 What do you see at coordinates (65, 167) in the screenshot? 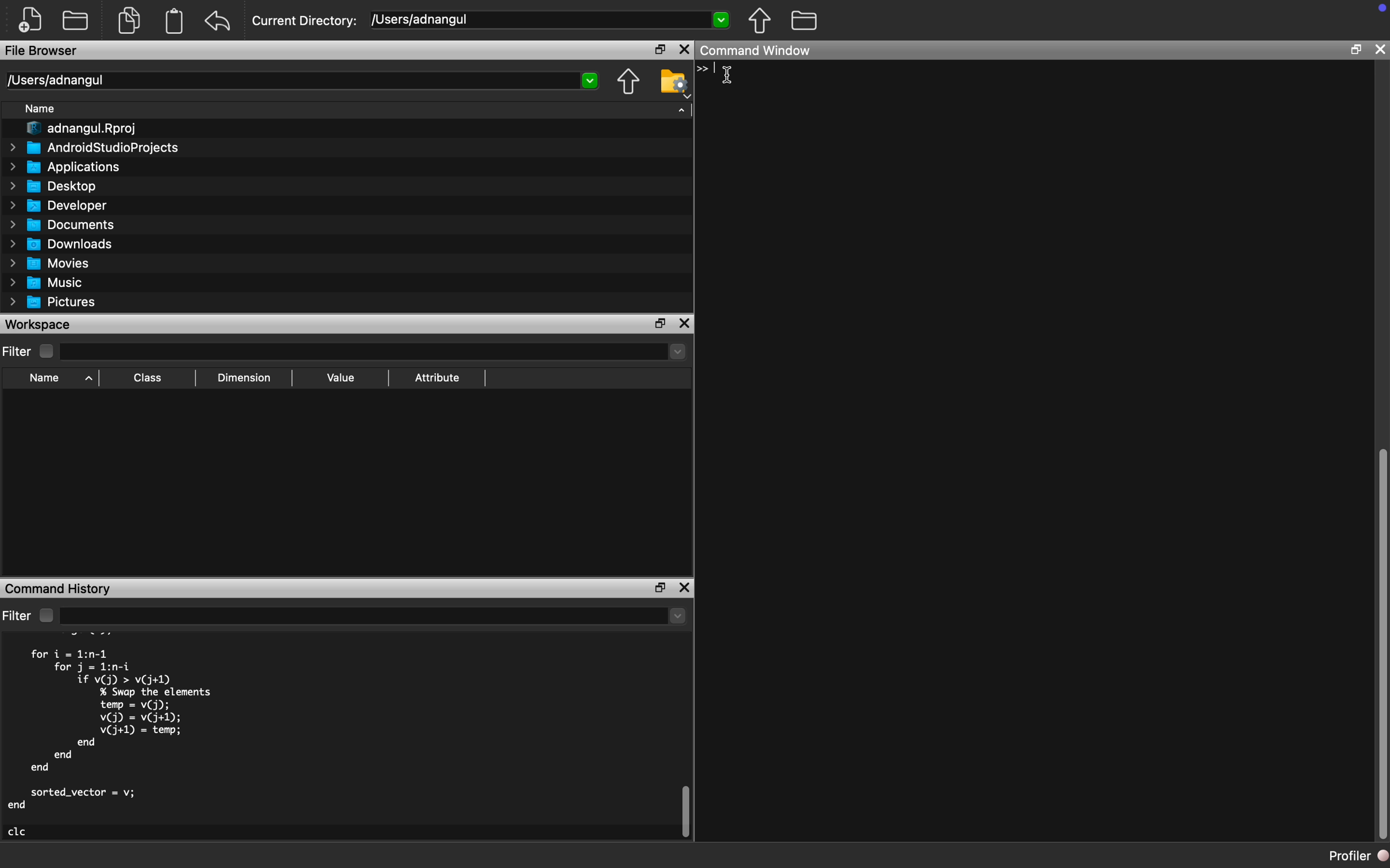
I see `Applications` at bounding box center [65, 167].